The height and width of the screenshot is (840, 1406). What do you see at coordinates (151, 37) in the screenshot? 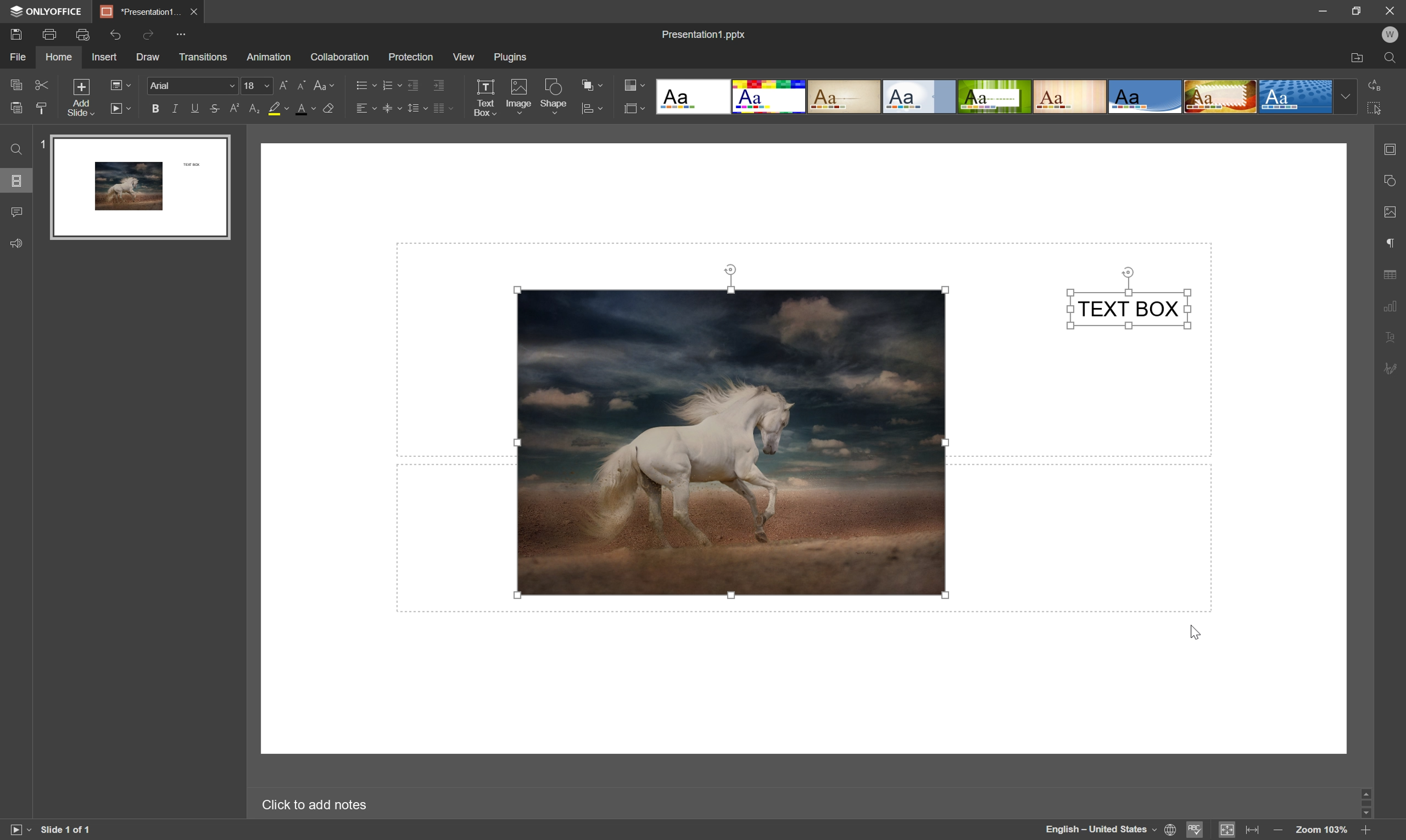
I see `redo` at bounding box center [151, 37].